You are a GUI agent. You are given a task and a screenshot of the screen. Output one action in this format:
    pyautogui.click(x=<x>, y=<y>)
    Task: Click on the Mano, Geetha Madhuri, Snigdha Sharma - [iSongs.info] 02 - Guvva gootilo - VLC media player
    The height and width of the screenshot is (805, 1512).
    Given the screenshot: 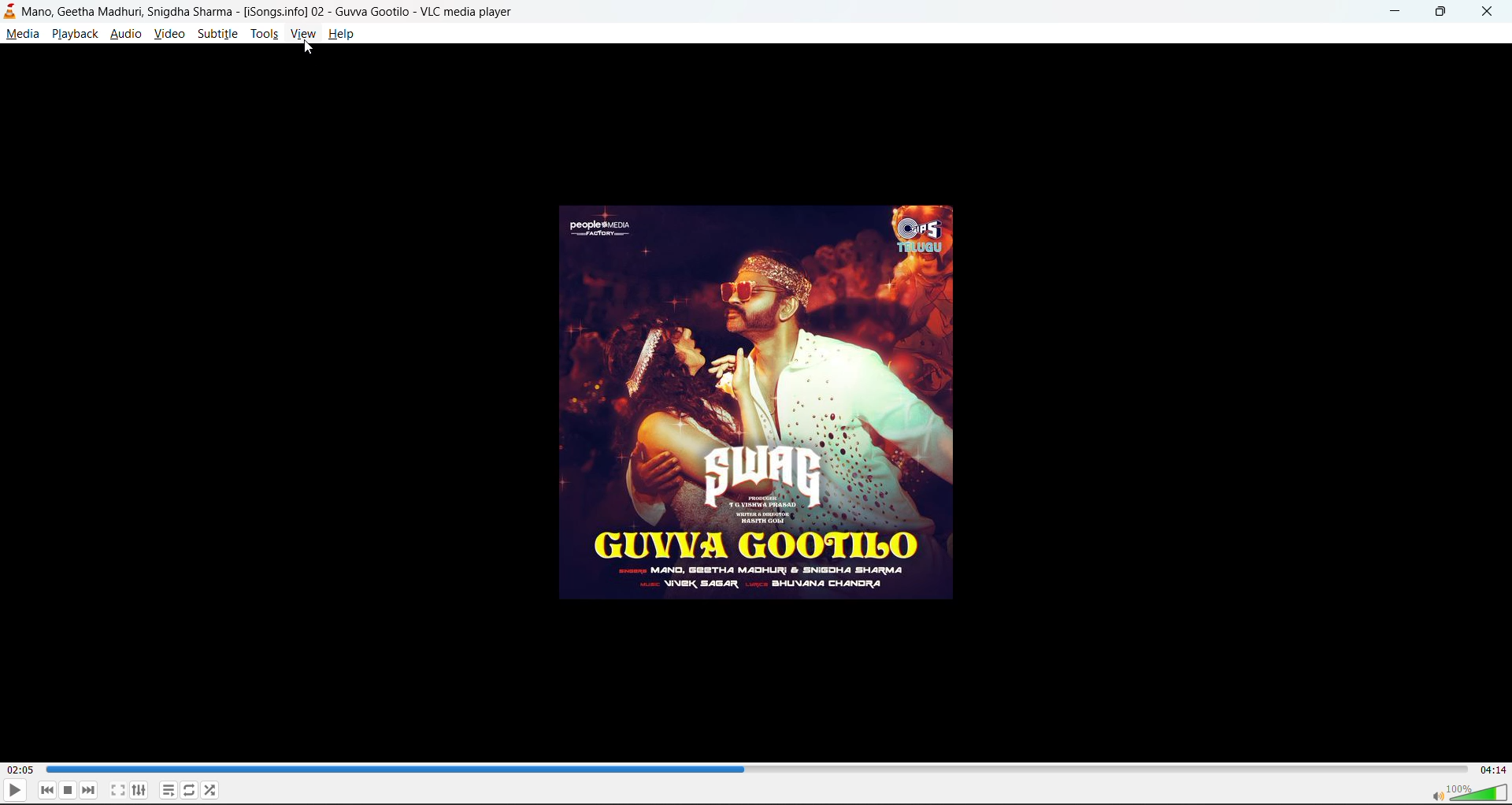 What is the action you would take?
    pyautogui.click(x=317, y=11)
    